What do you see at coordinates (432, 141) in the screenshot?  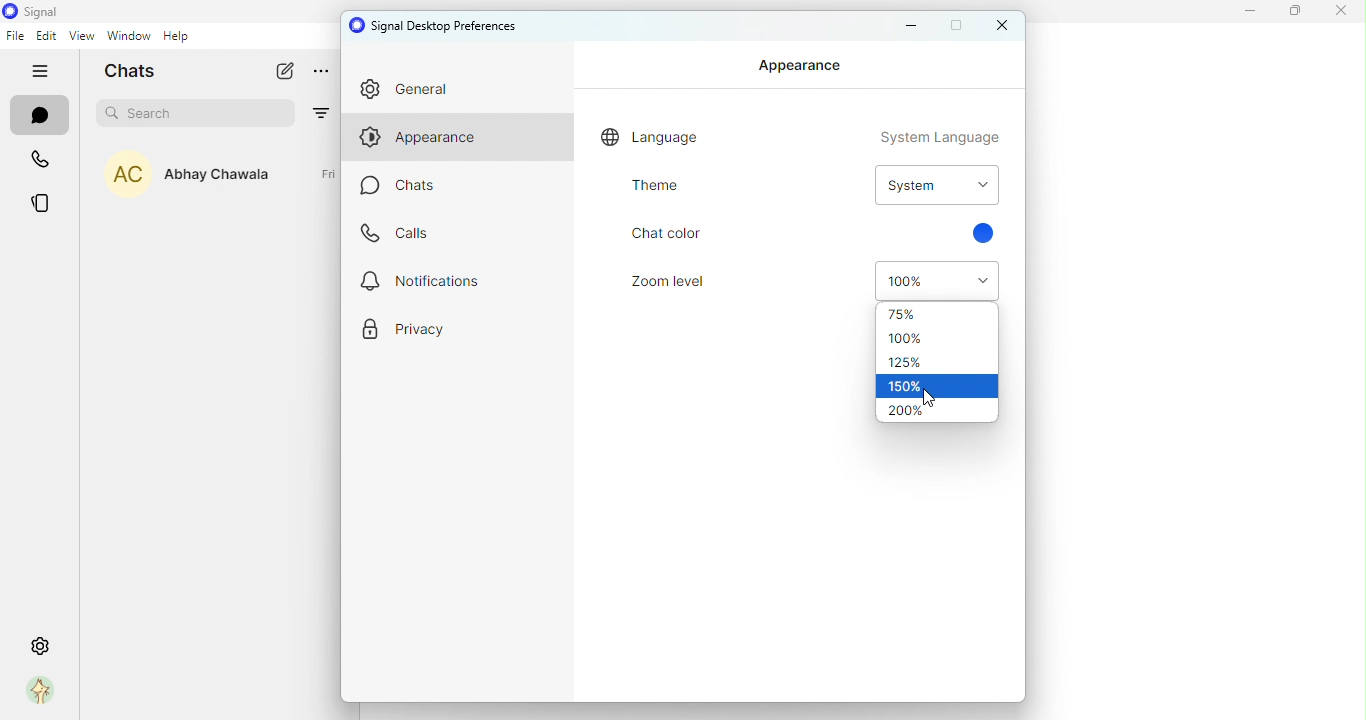 I see `appearance` at bounding box center [432, 141].